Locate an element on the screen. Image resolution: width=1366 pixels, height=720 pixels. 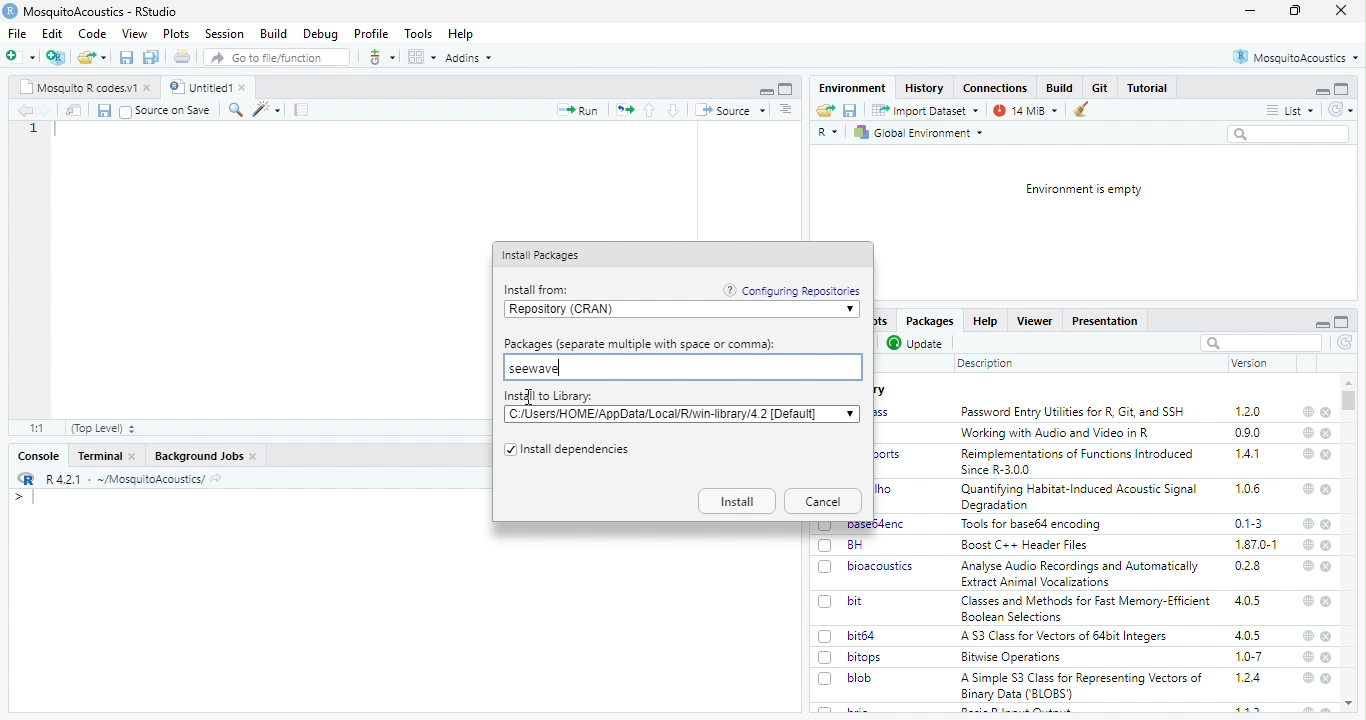
close is located at coordinates (1326, 434).